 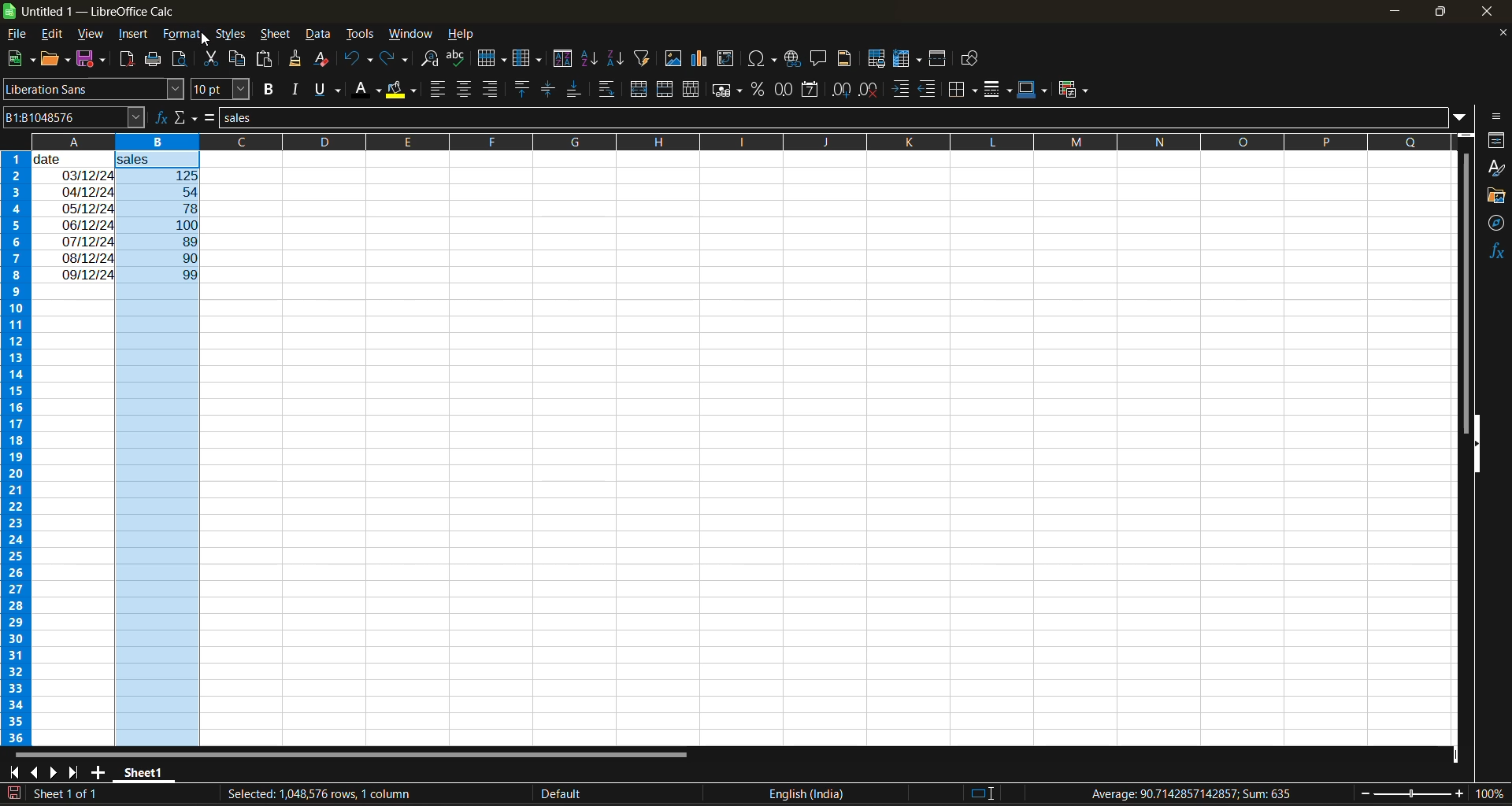 What do you see at coordinates (158, 117) in the screenshot?
I see `function wizard` at bounding box center [158, 117].